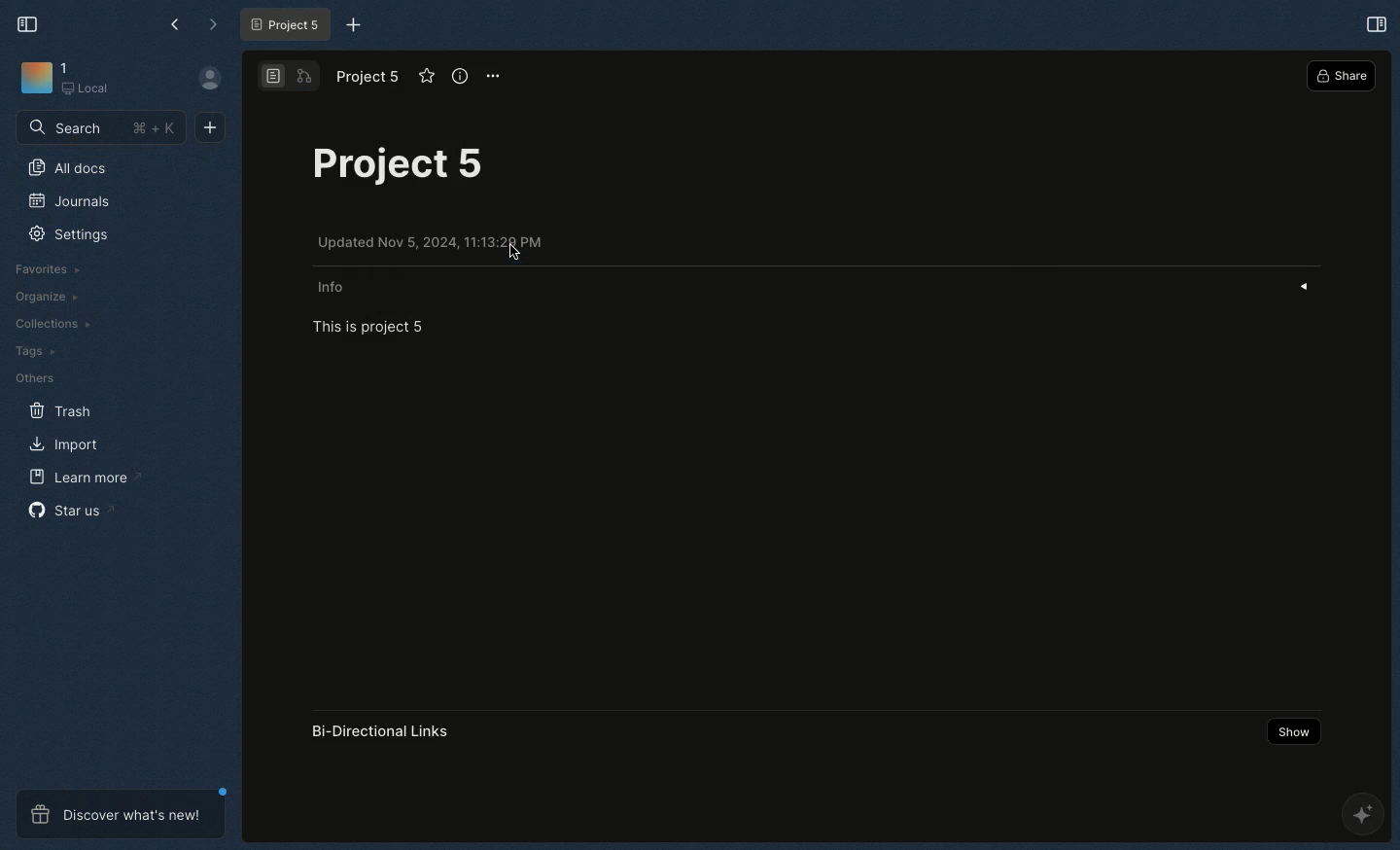  I want to click on Others, so click(35, 376).